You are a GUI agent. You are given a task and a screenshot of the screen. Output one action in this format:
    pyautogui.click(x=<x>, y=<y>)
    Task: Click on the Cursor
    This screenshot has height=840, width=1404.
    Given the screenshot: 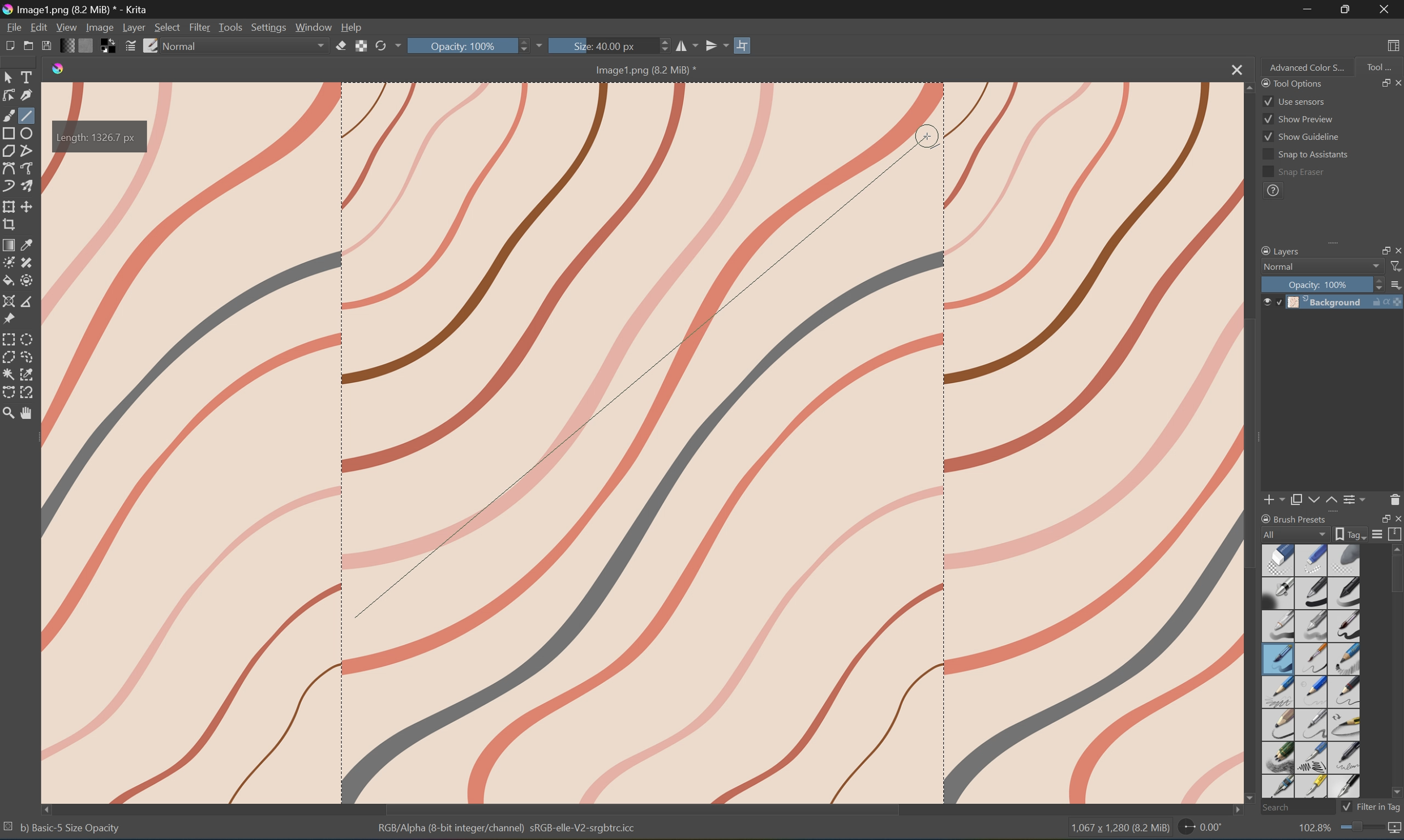 What is the action you would take?
    pyautogui.click(x=354, y=618)
    